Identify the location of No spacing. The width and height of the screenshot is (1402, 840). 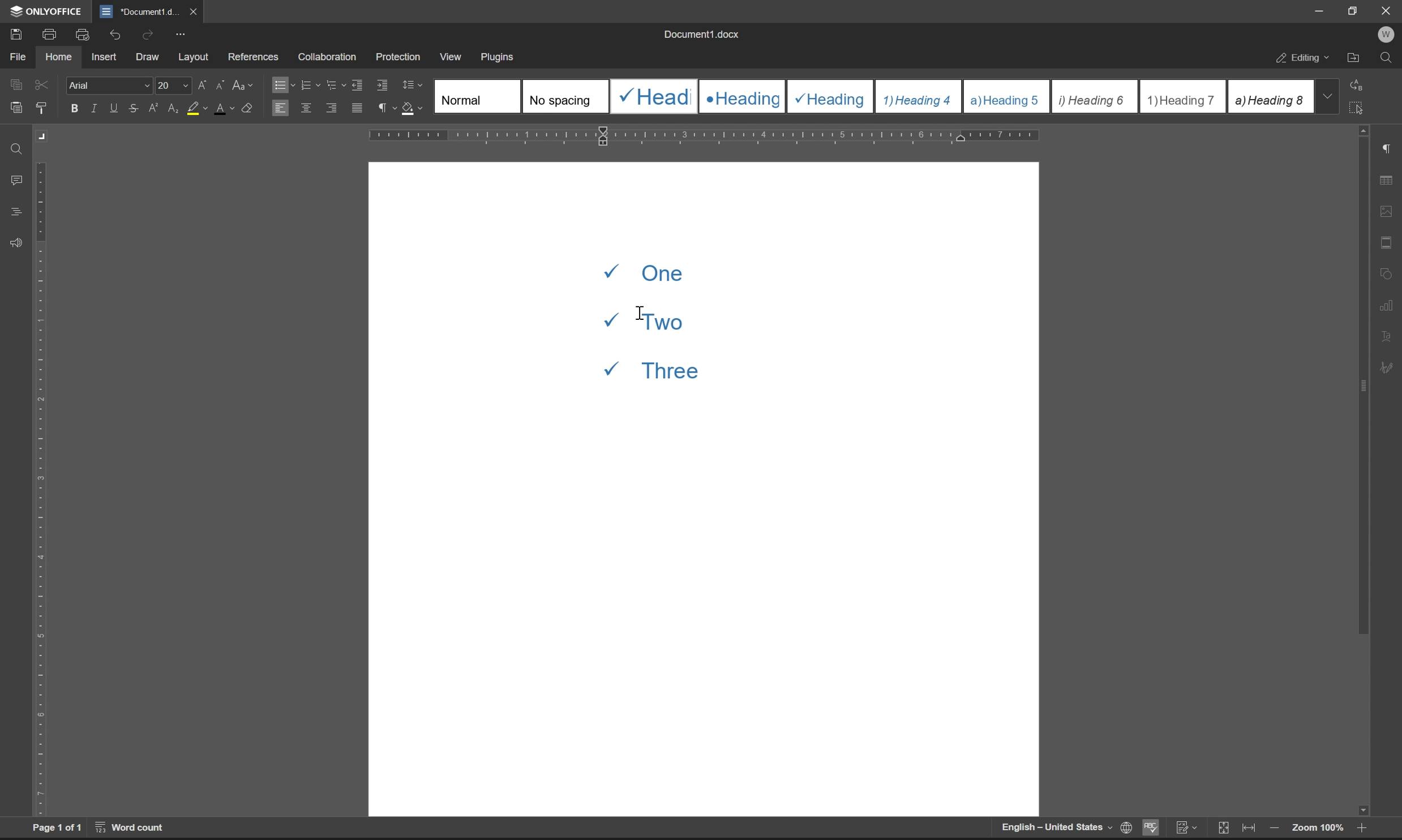
(564, 96).